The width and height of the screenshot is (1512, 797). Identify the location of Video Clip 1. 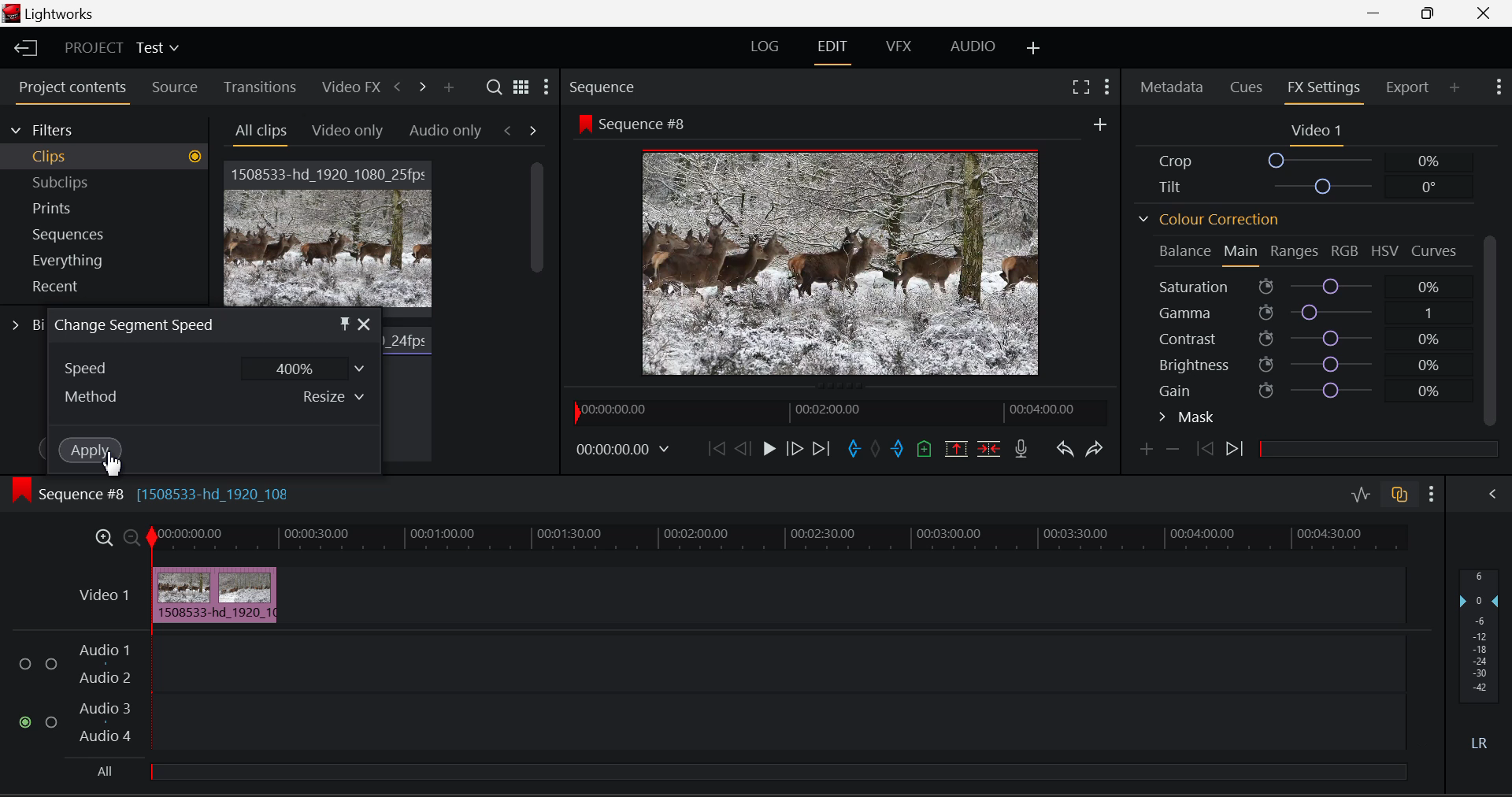
(329, 235).